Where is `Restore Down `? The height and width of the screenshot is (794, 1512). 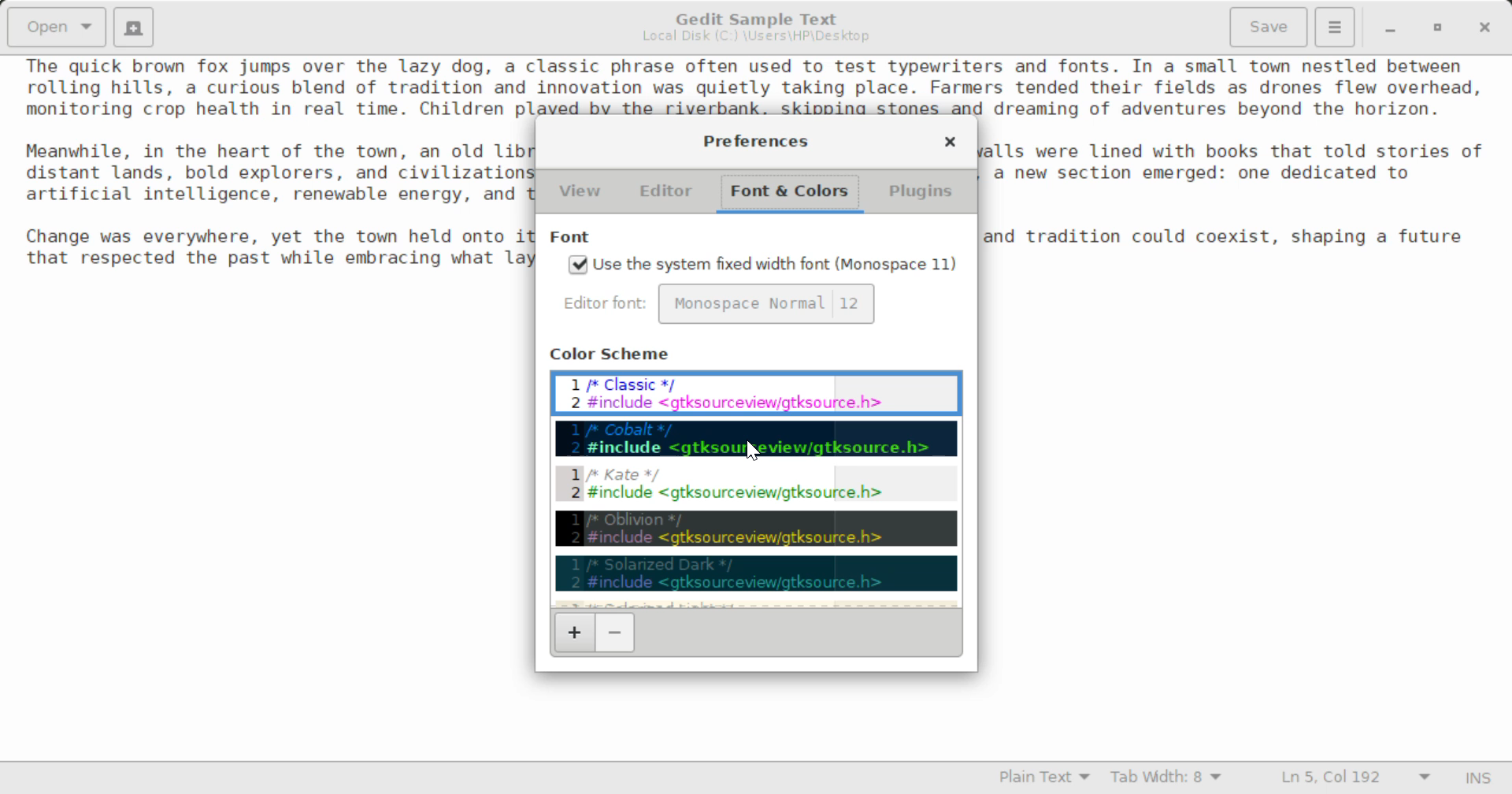 Restore Down  is located at coordinates (1391, 28).